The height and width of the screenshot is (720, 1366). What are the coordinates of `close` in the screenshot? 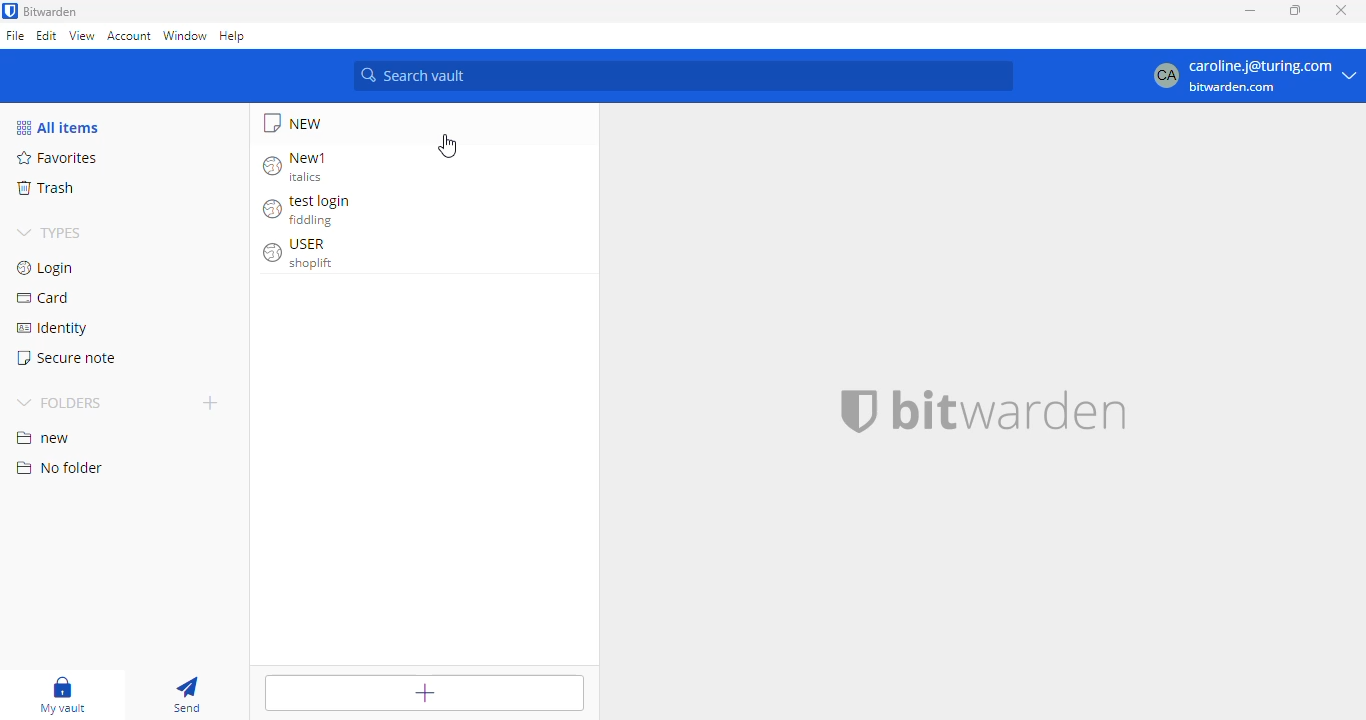 It's located at (1341, 10).